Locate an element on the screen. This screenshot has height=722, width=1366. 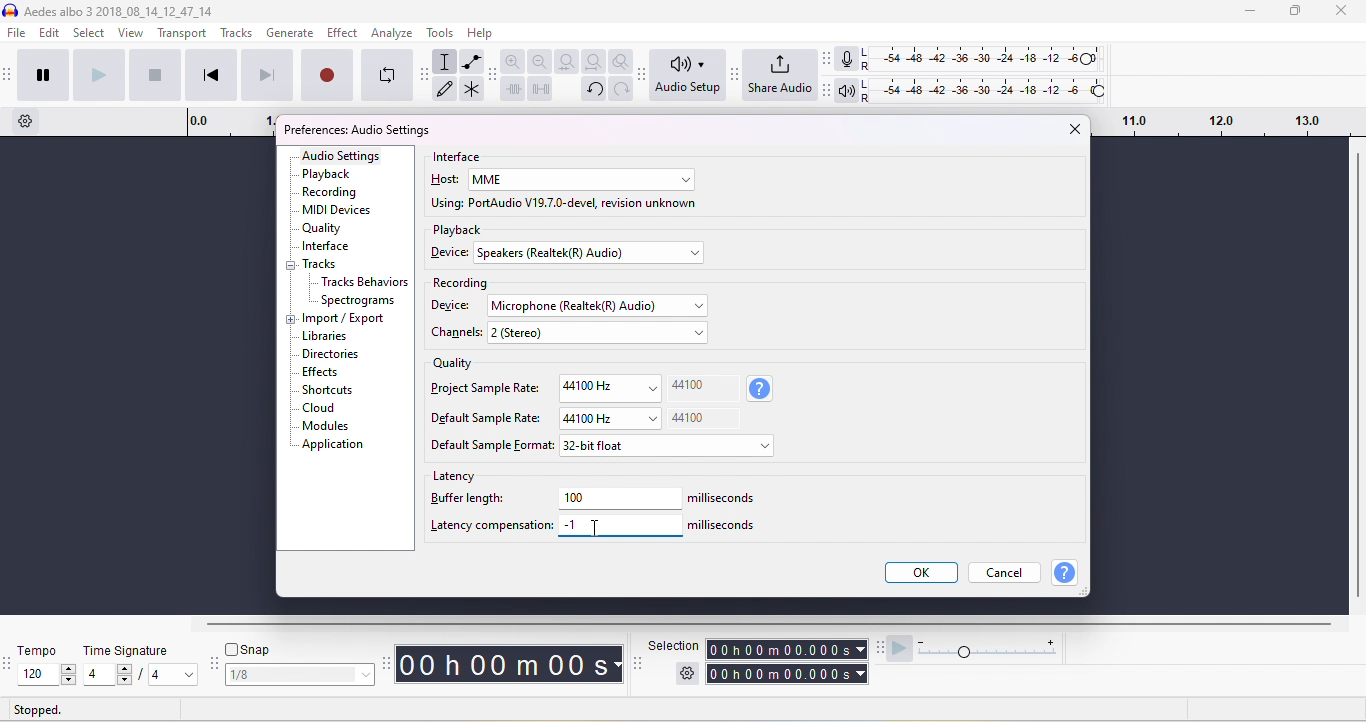
44100 is located at coordinates (689, 384).